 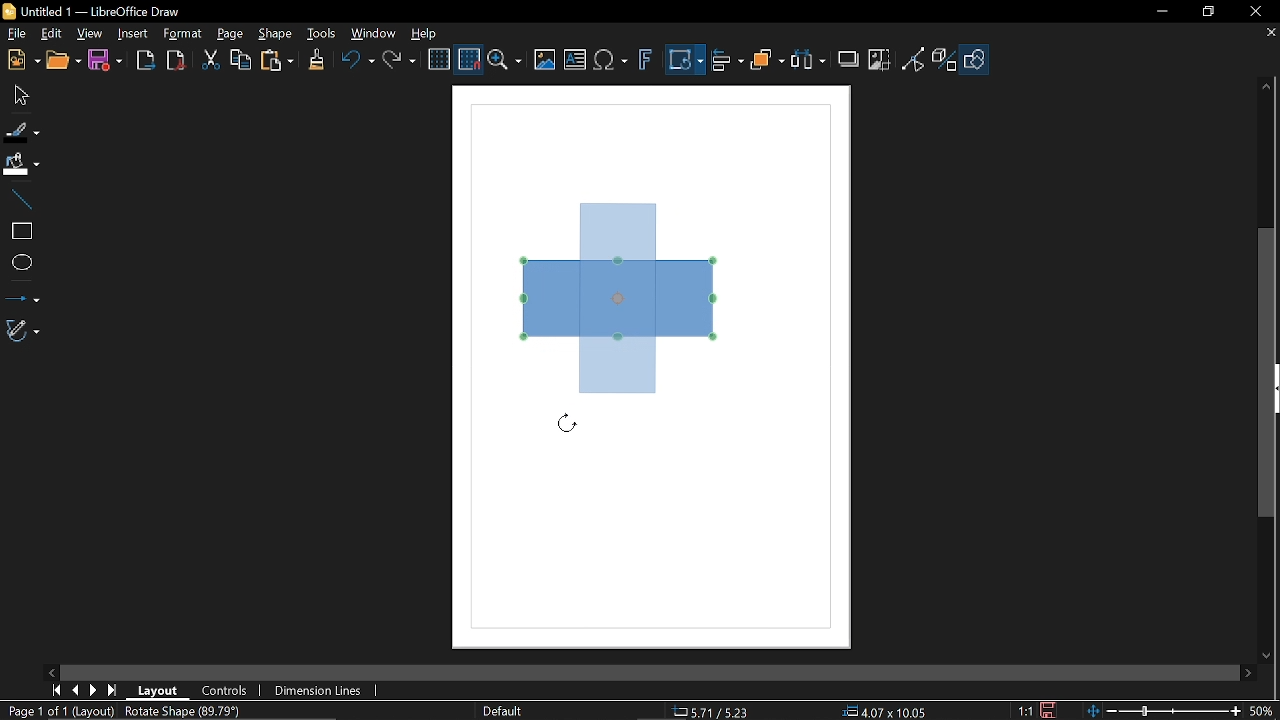 What do you see at coordinates (175, 61) in the screenshot?
I see `Export as pdf` at bounding box center [175, 61].